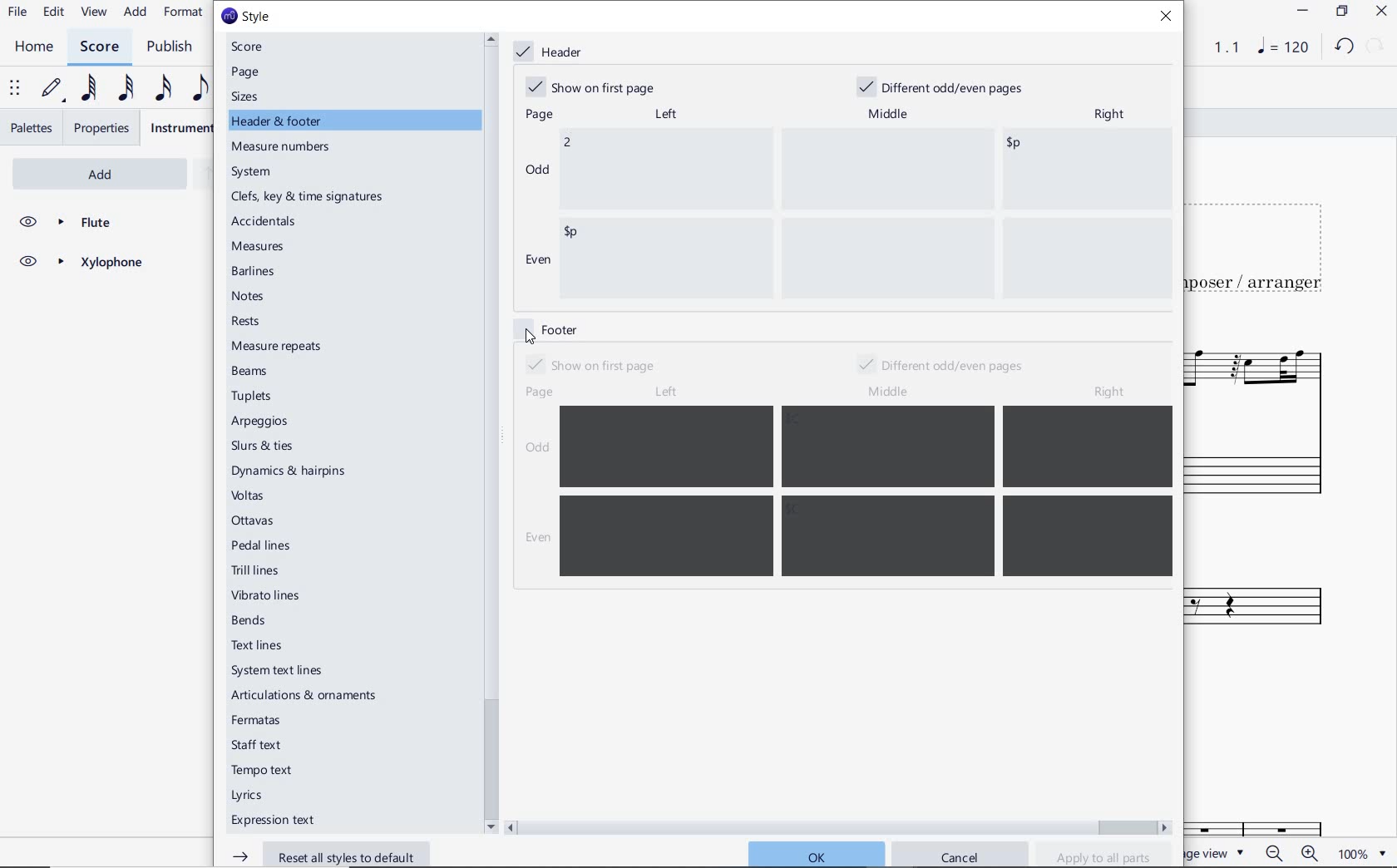 The height and width of the screenshot is (868, 1397). Describe the element at coordinates (1290, 852) in the screenshot. I see `zoom in or zoom out` at that location.